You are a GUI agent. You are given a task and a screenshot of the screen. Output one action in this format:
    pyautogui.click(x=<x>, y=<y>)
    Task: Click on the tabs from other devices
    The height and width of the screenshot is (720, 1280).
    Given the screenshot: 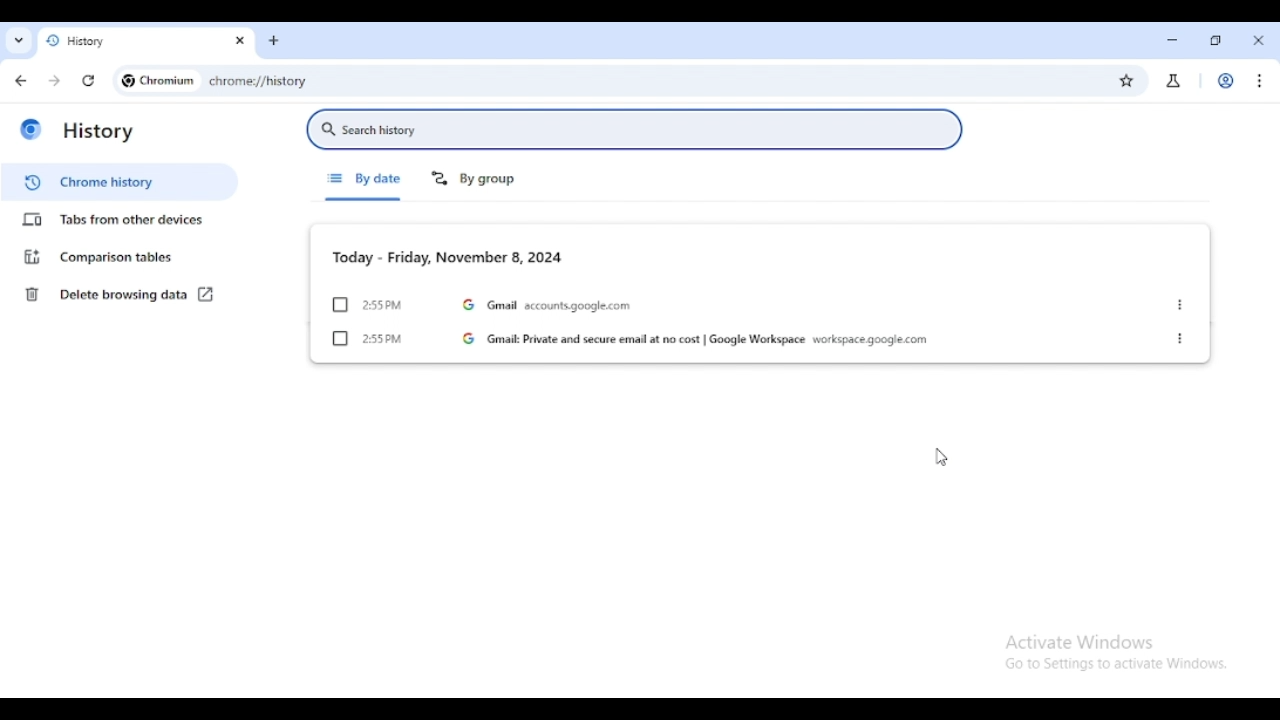 What is the action you would take?
    pyautogui.click(x=114, y=219)
    